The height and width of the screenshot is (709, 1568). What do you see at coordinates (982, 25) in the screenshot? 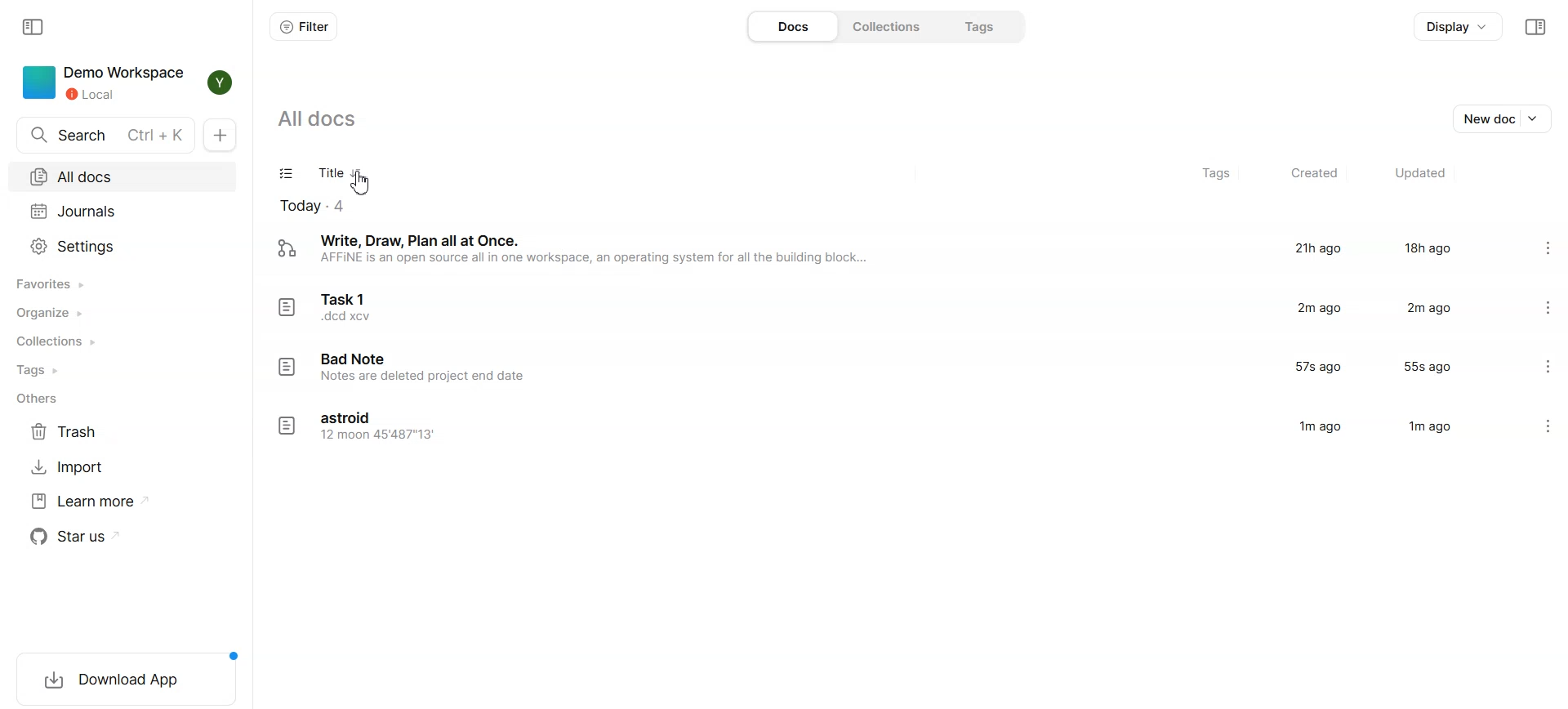
I see `Tags` at bounding box center [982, 25].